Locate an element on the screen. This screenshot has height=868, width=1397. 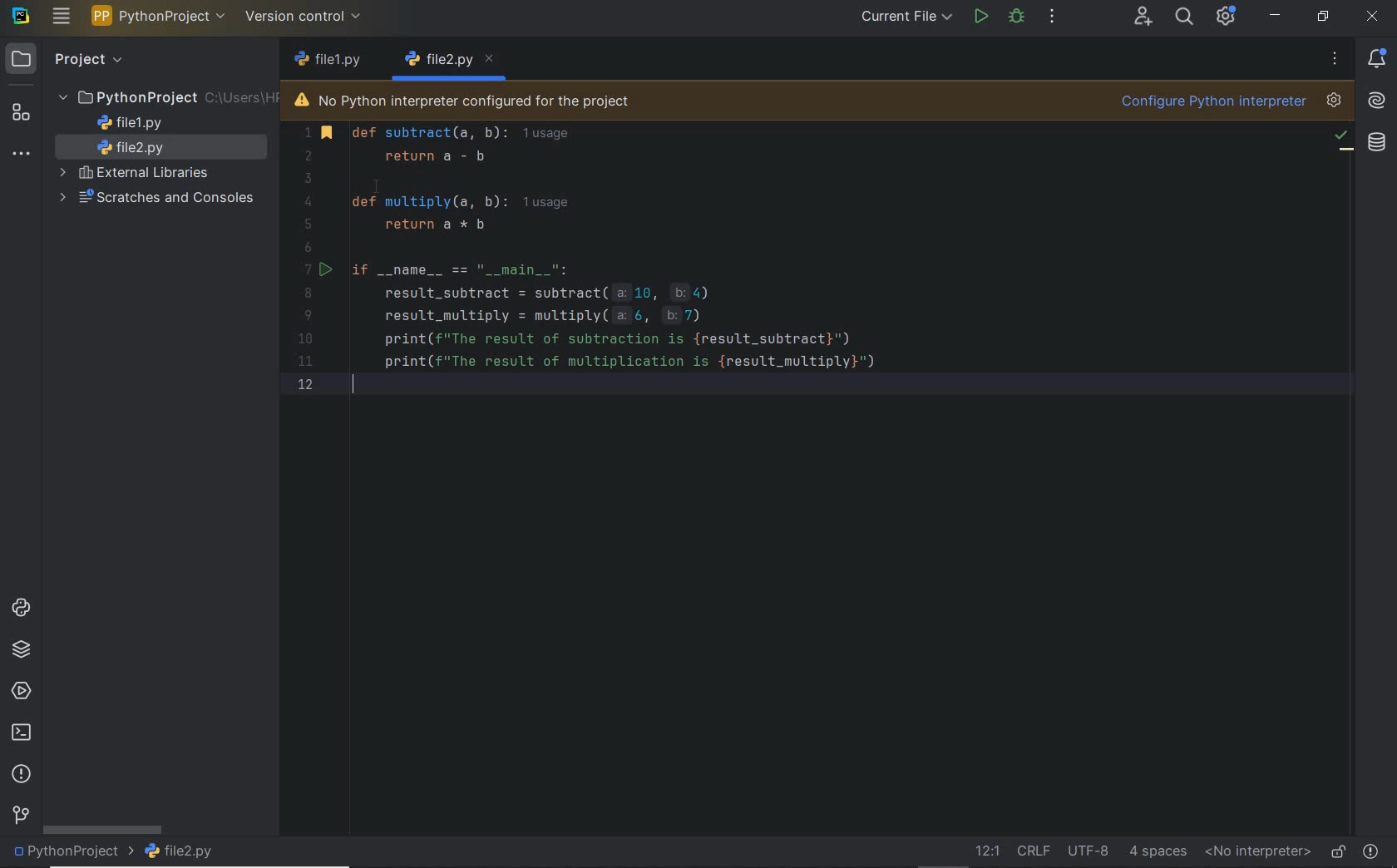
current file is located at coordinates (906, 16).